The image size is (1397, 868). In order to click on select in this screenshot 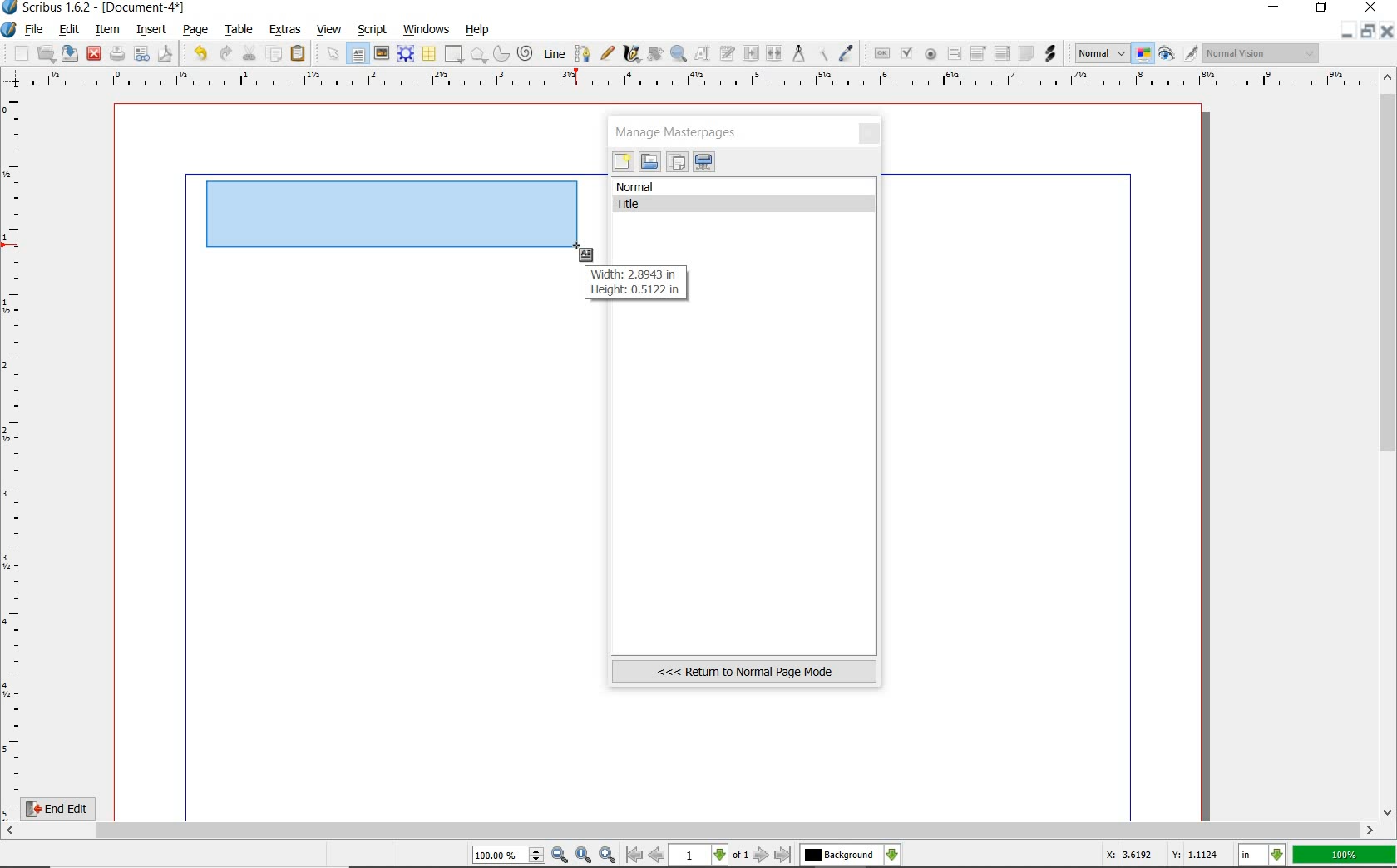, I will do `click(330, 53)`.